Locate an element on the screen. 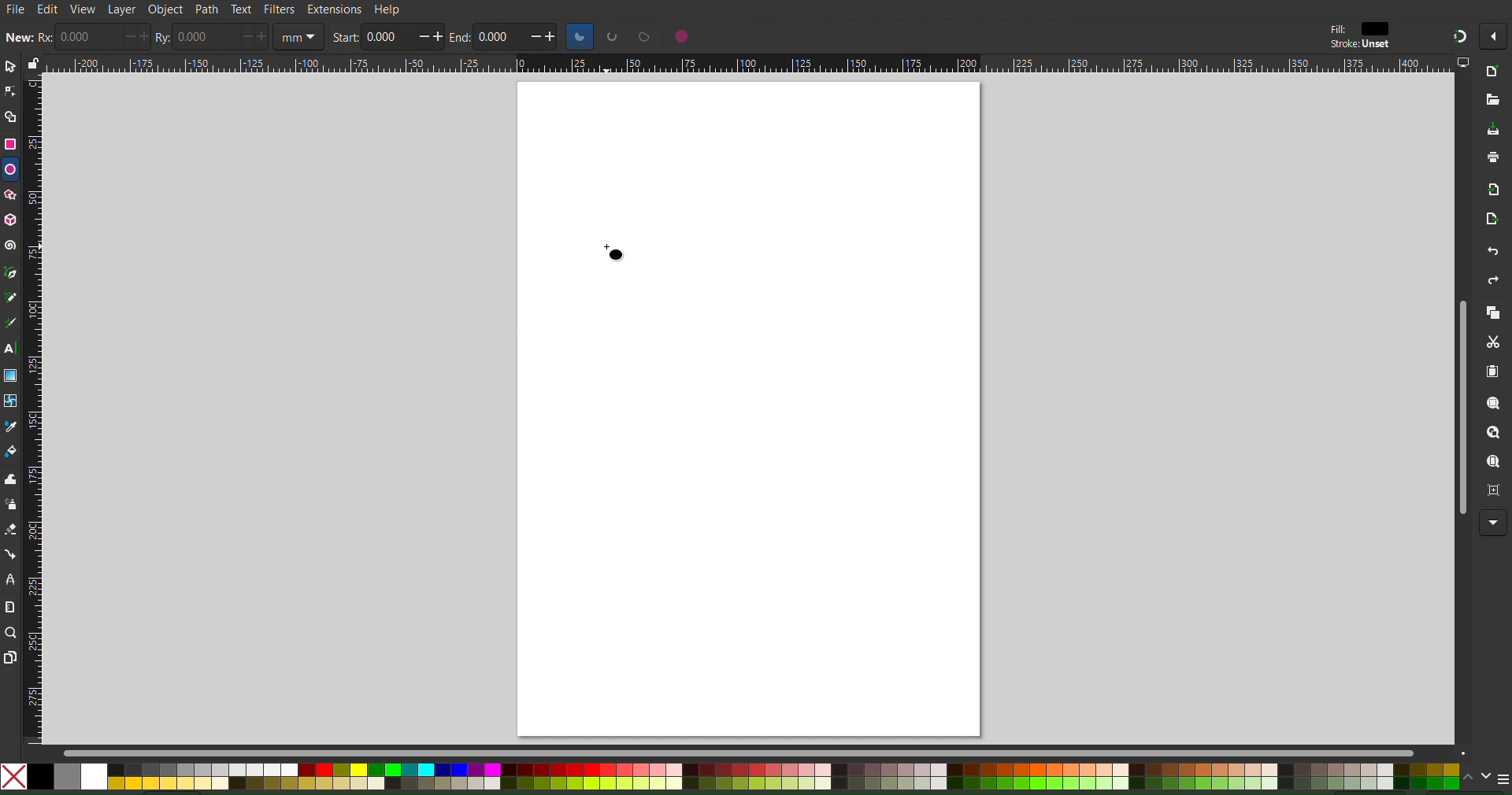  Snapping is located at coordinates (1455, 35).